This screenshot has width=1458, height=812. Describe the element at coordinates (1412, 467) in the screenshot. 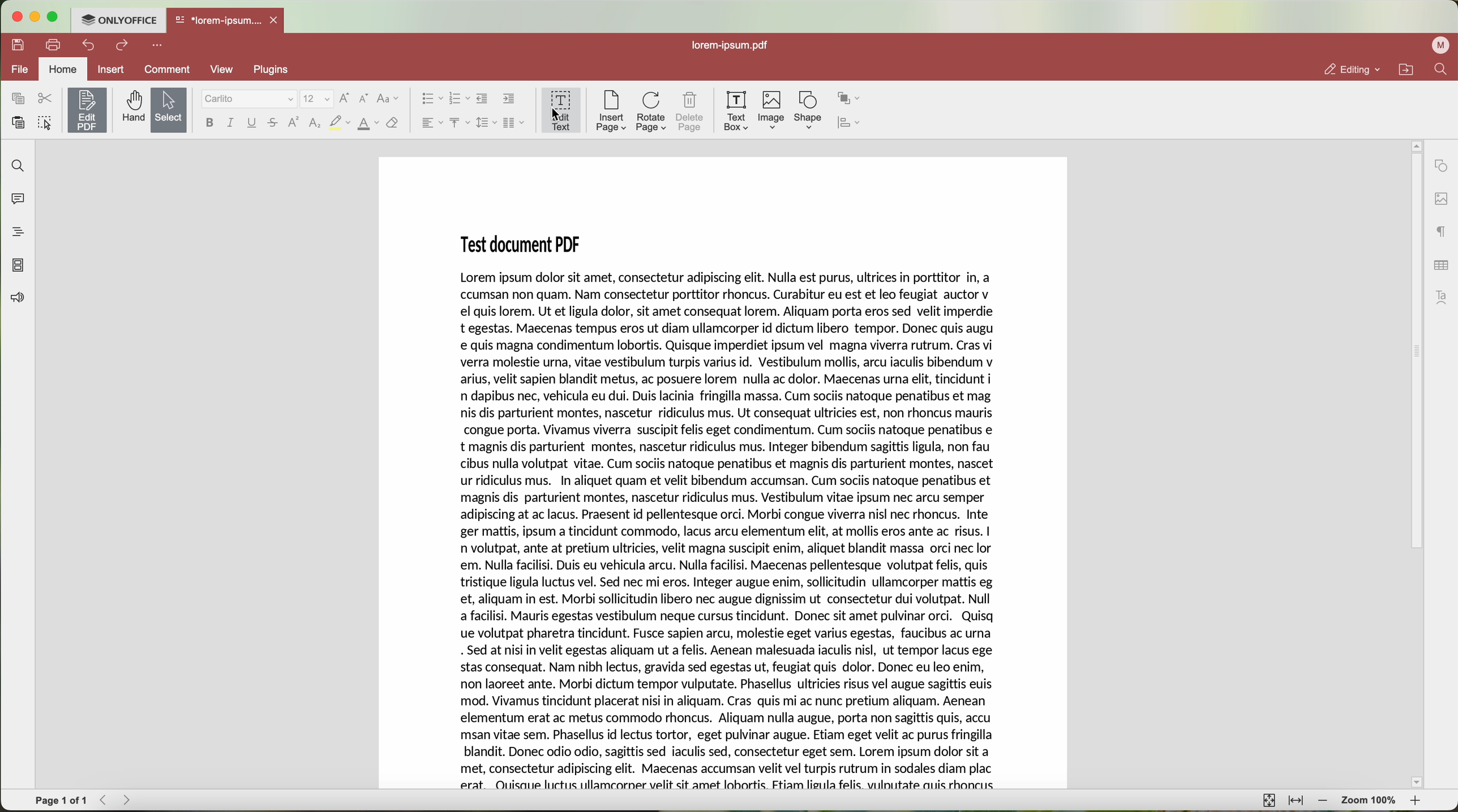

I see `scroll bar` at that location.